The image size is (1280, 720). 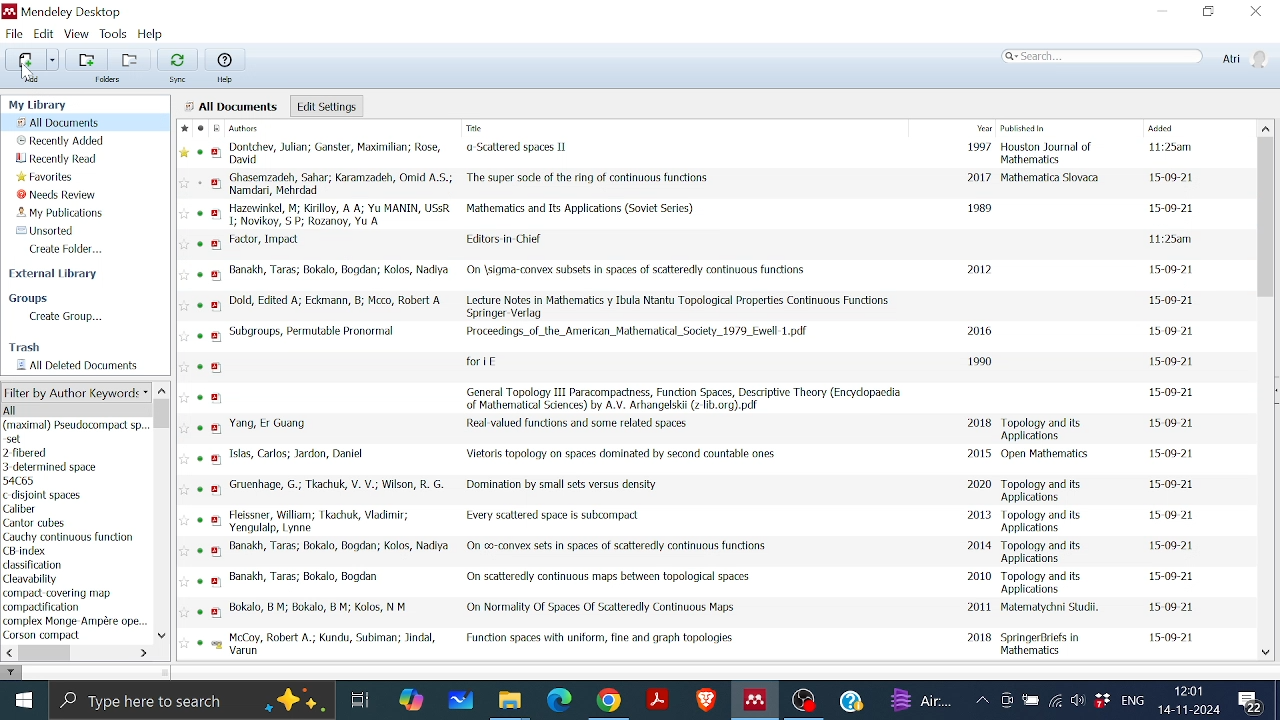 What do you see at coordinates (806, 700) in the screenshot?
I see `OBS studio` at bounding box center [806, 700].